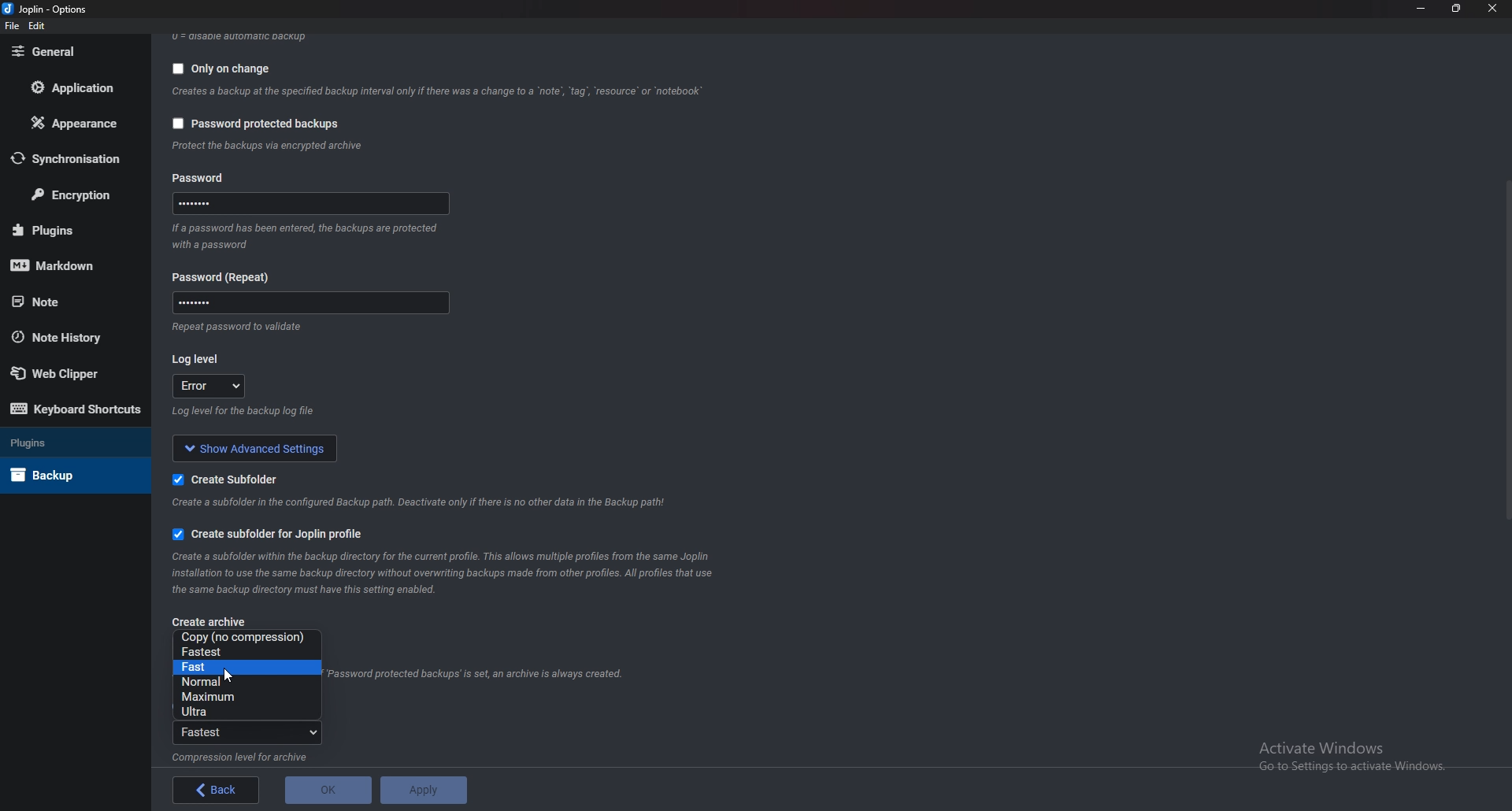 The width and height of the screenshot is (1512, 811). What do you see at coordinates (68, 230) in the screenshot?
I see `Plugins` at bounding box center [68, 230].